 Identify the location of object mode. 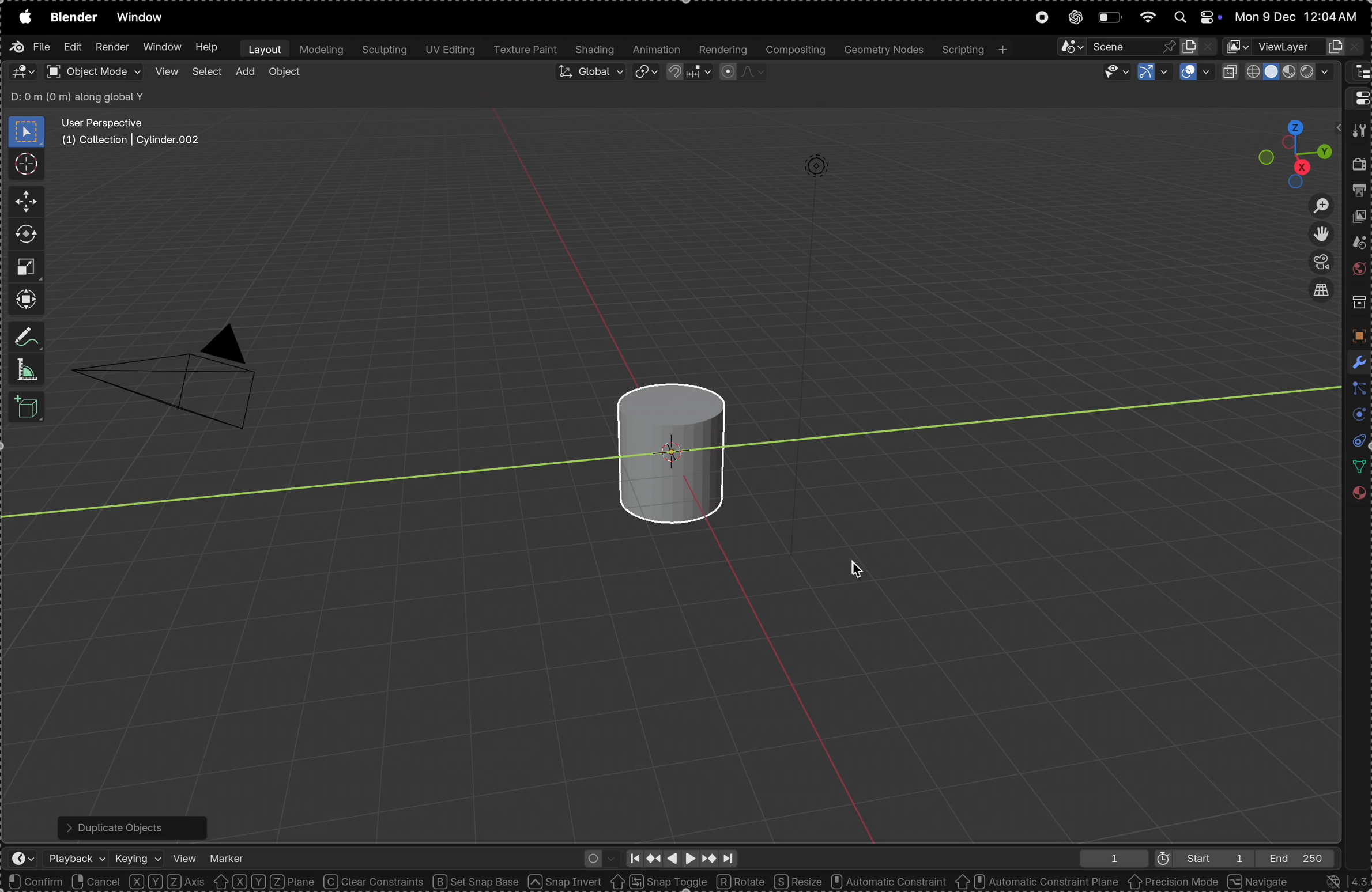
(93, 71).